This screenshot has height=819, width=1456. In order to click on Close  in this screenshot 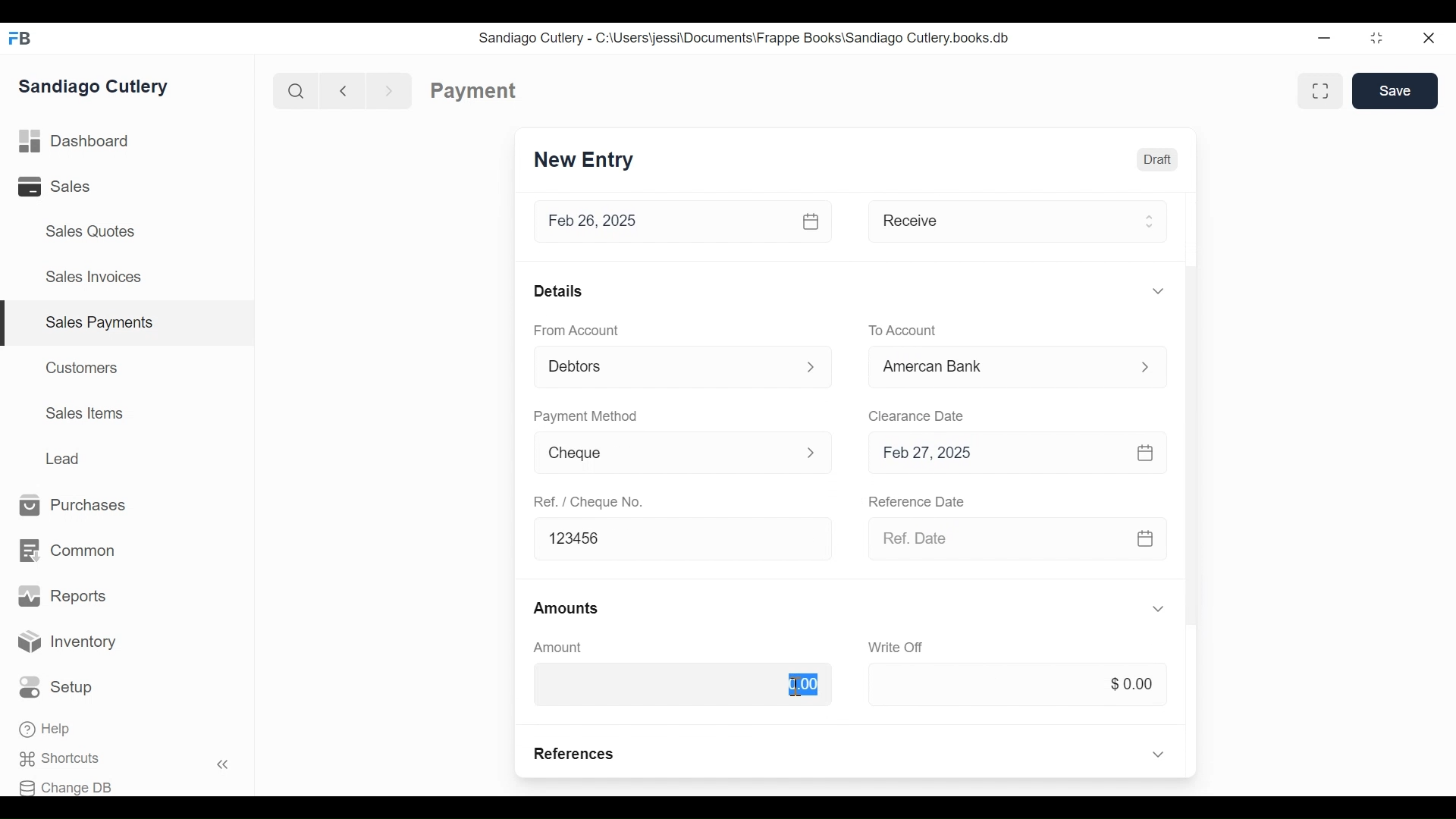, I will do `click(1430, 38)`.